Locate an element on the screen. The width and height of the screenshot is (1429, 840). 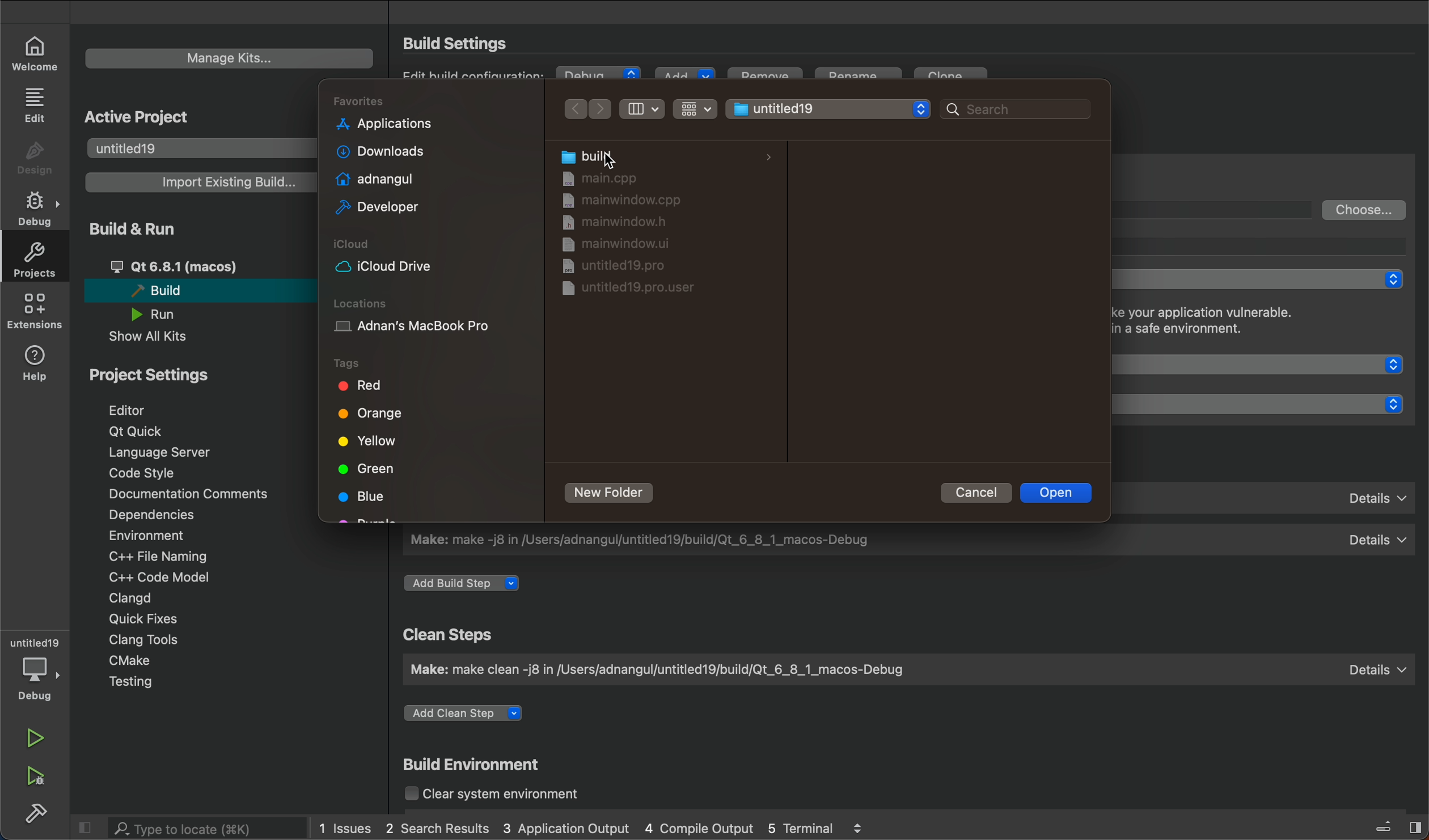
edit build configuration  is located at coordinates (476, 79).